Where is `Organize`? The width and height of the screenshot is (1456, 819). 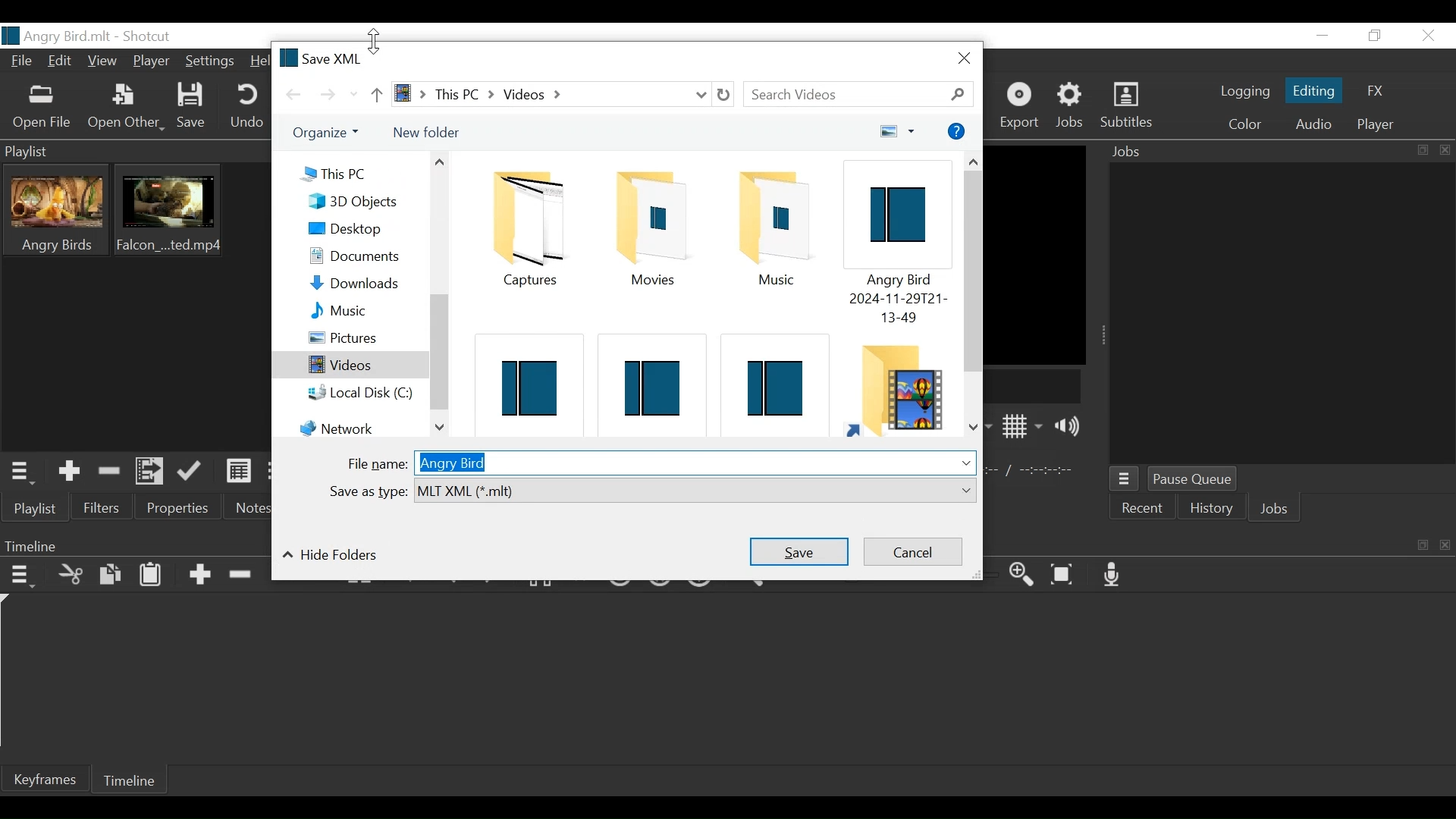
Organize is located at coordinates (329, 133).